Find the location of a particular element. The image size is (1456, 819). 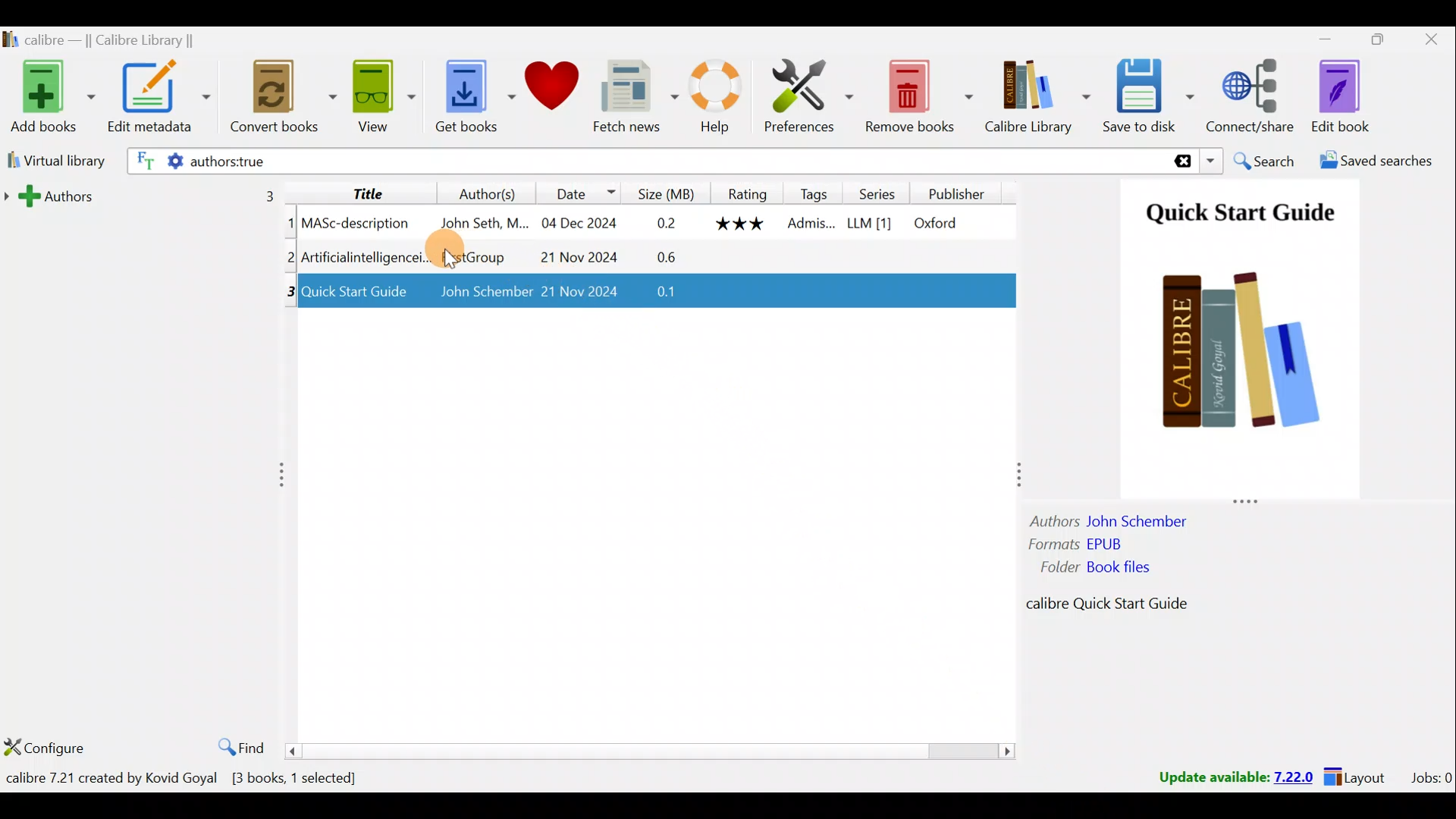

Tags is located at coordinates (814, 192).